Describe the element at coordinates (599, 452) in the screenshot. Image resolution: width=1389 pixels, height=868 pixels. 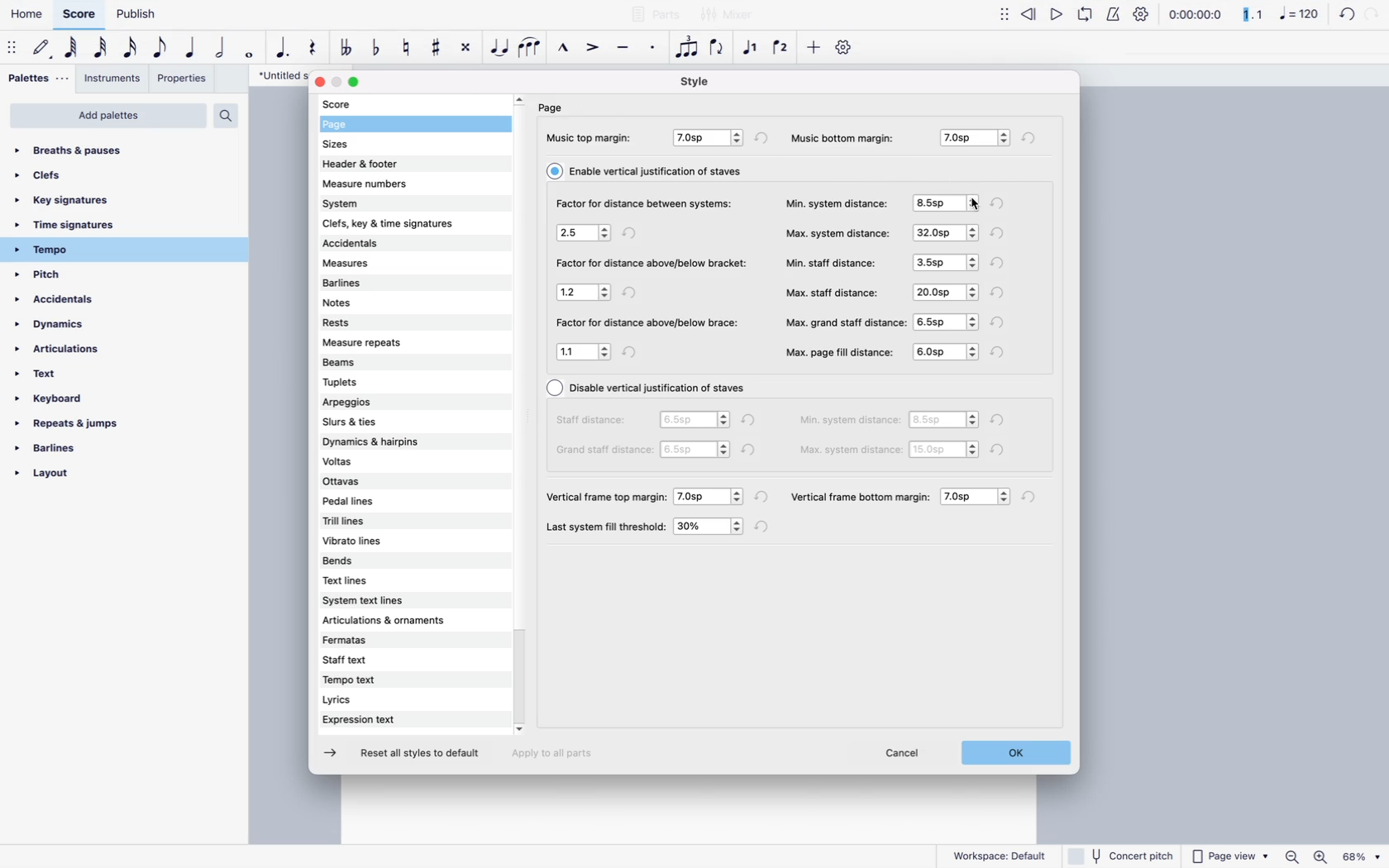
I see `grand staff distance` at that location.